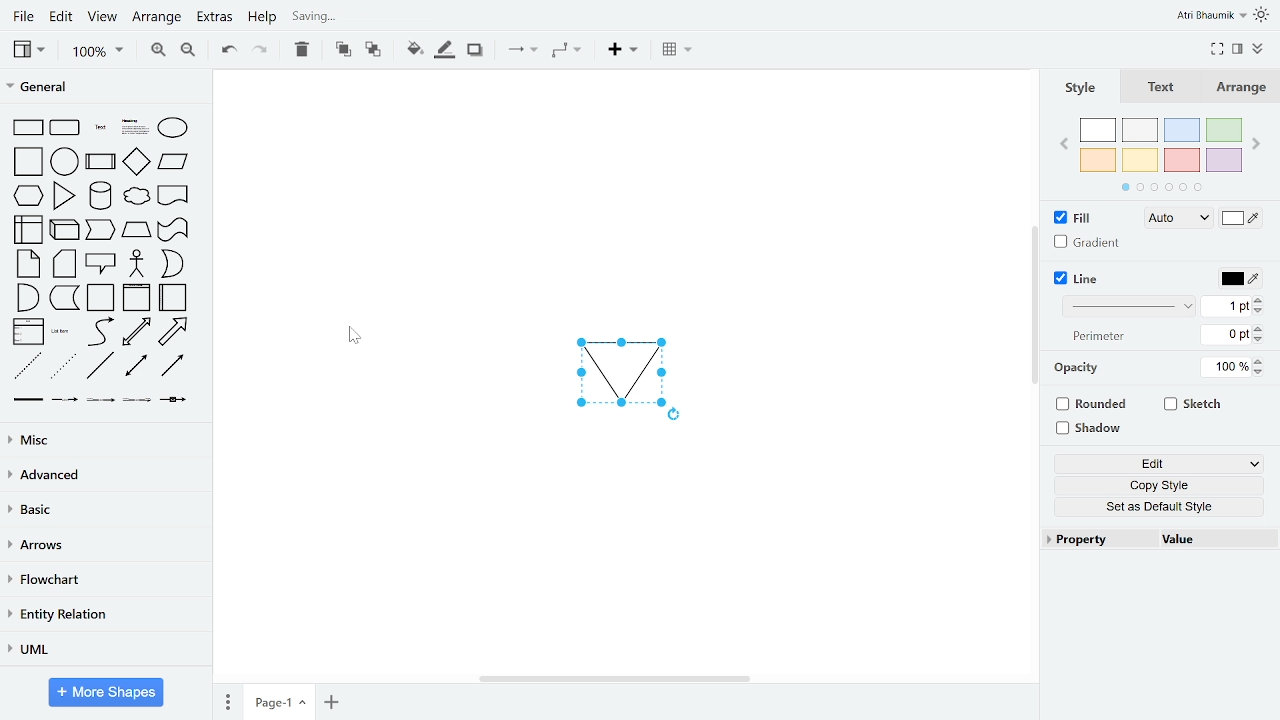 This screenshot has width=1280, height=720. I want to click on cylinder, so click(100, 195).